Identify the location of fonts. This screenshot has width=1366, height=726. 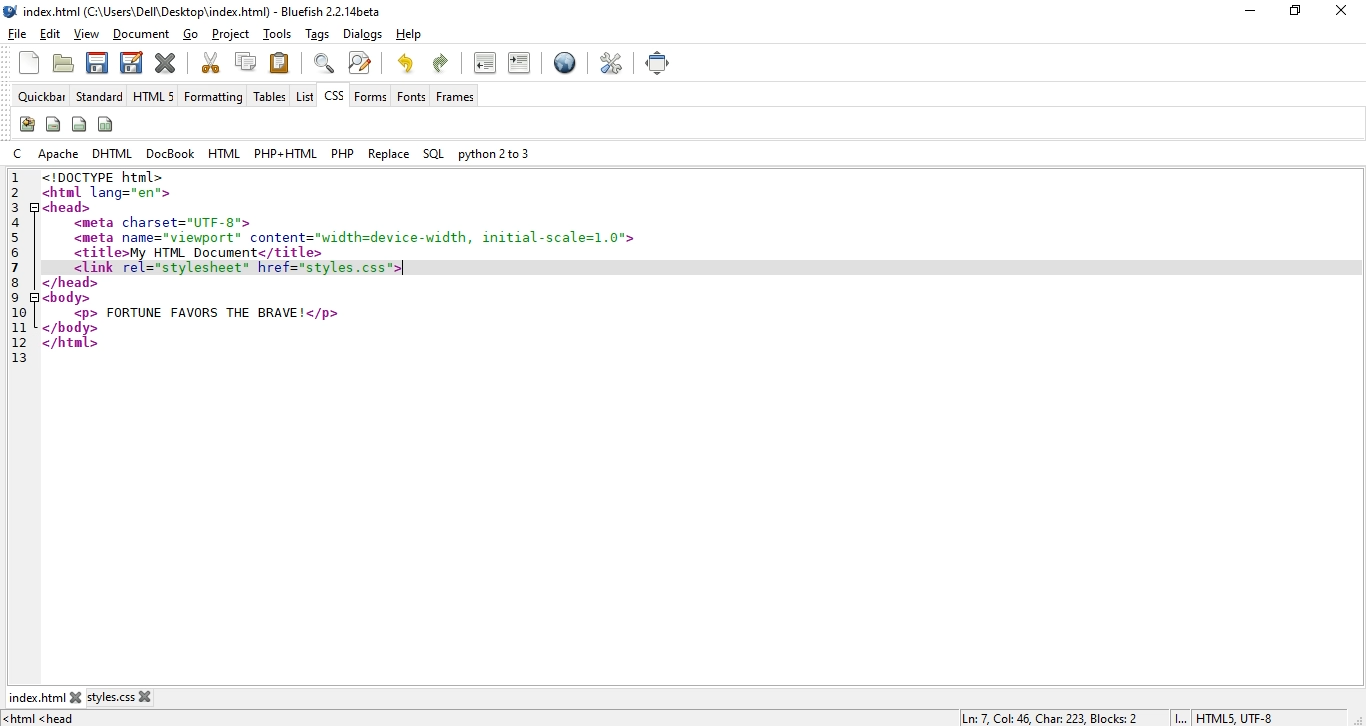
(411, 96).